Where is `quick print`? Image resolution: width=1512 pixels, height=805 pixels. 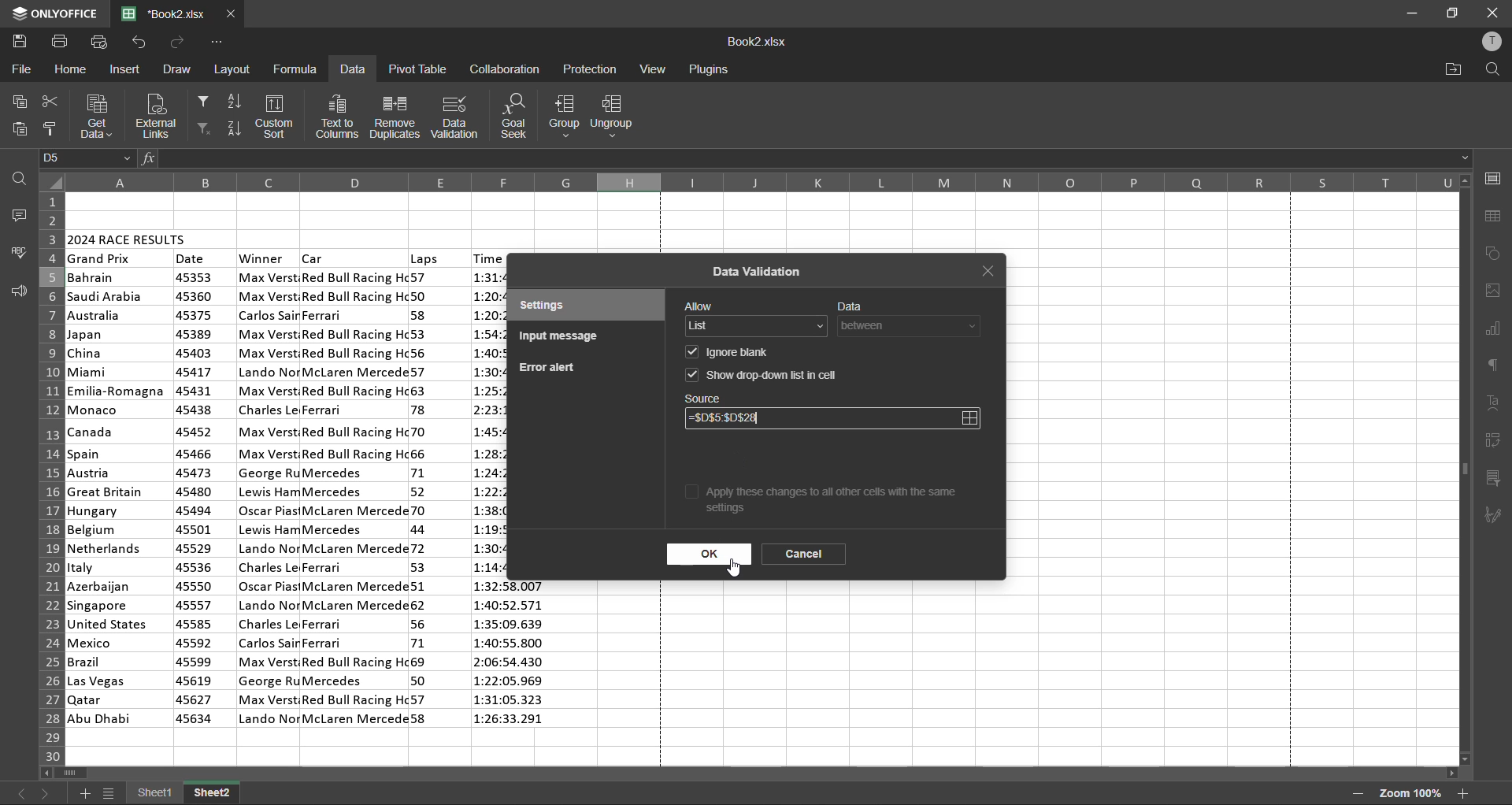
quick print is located at coordinates (98, 42).